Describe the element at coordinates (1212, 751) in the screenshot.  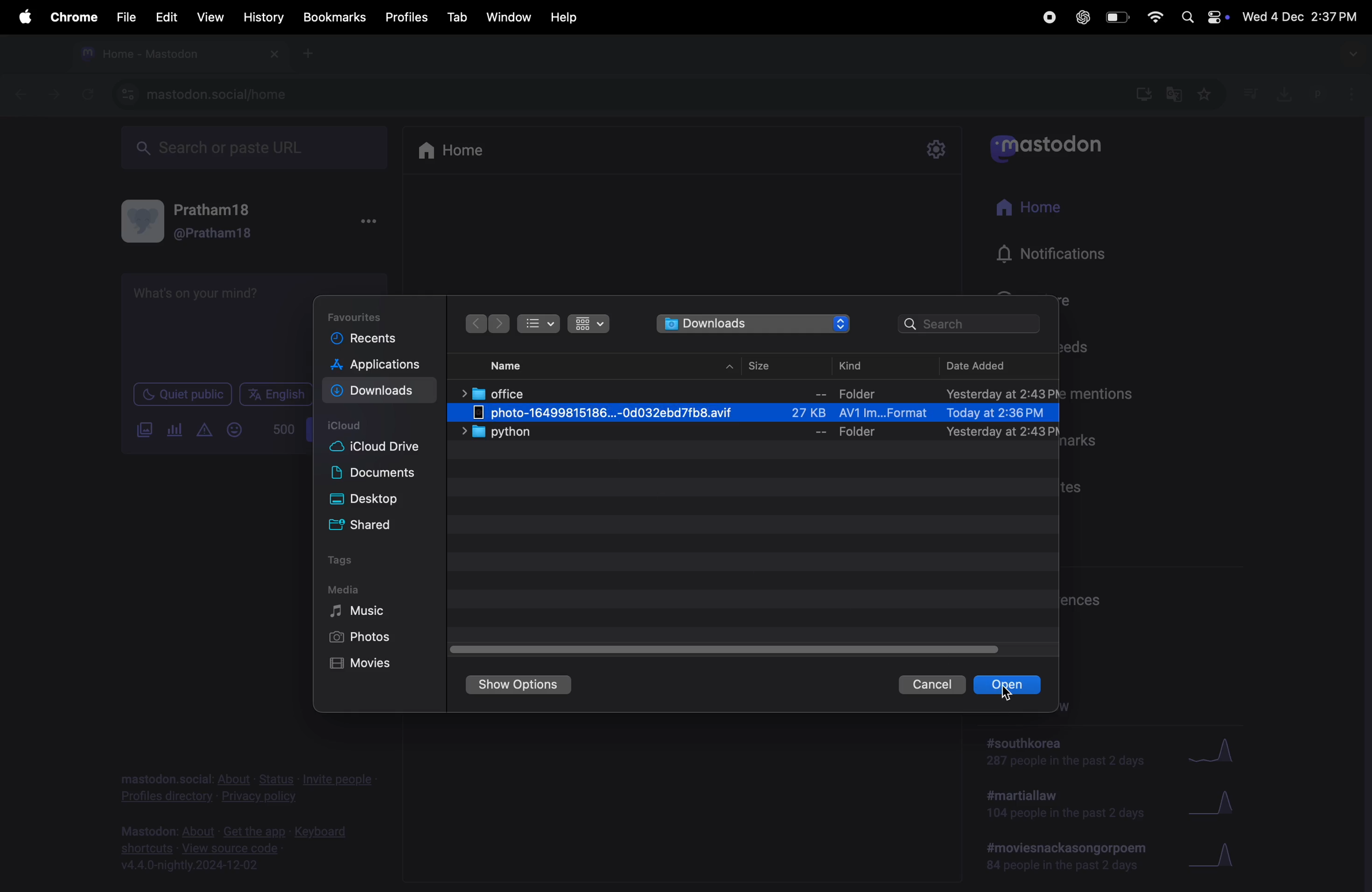
I see `graph` at that location.